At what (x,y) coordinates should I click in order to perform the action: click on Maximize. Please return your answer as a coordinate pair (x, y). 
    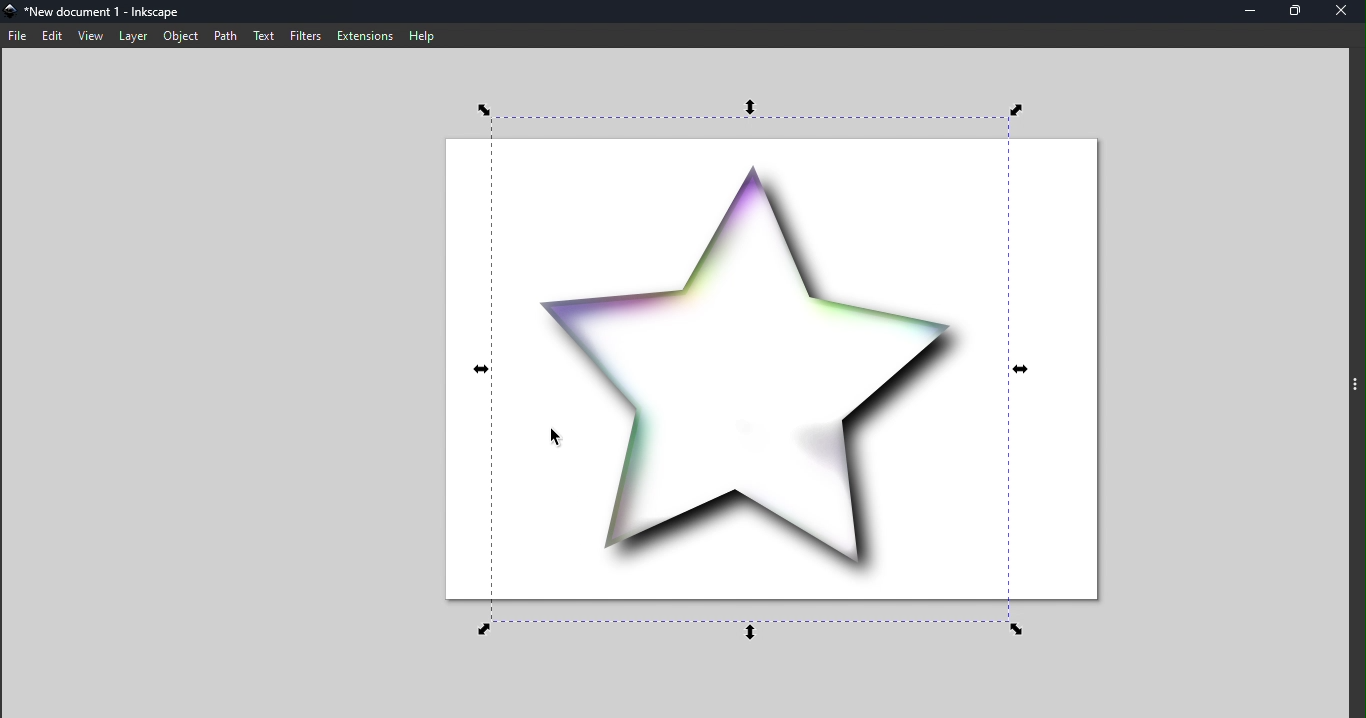
    Looking at the image, I should click on (1293, 12).